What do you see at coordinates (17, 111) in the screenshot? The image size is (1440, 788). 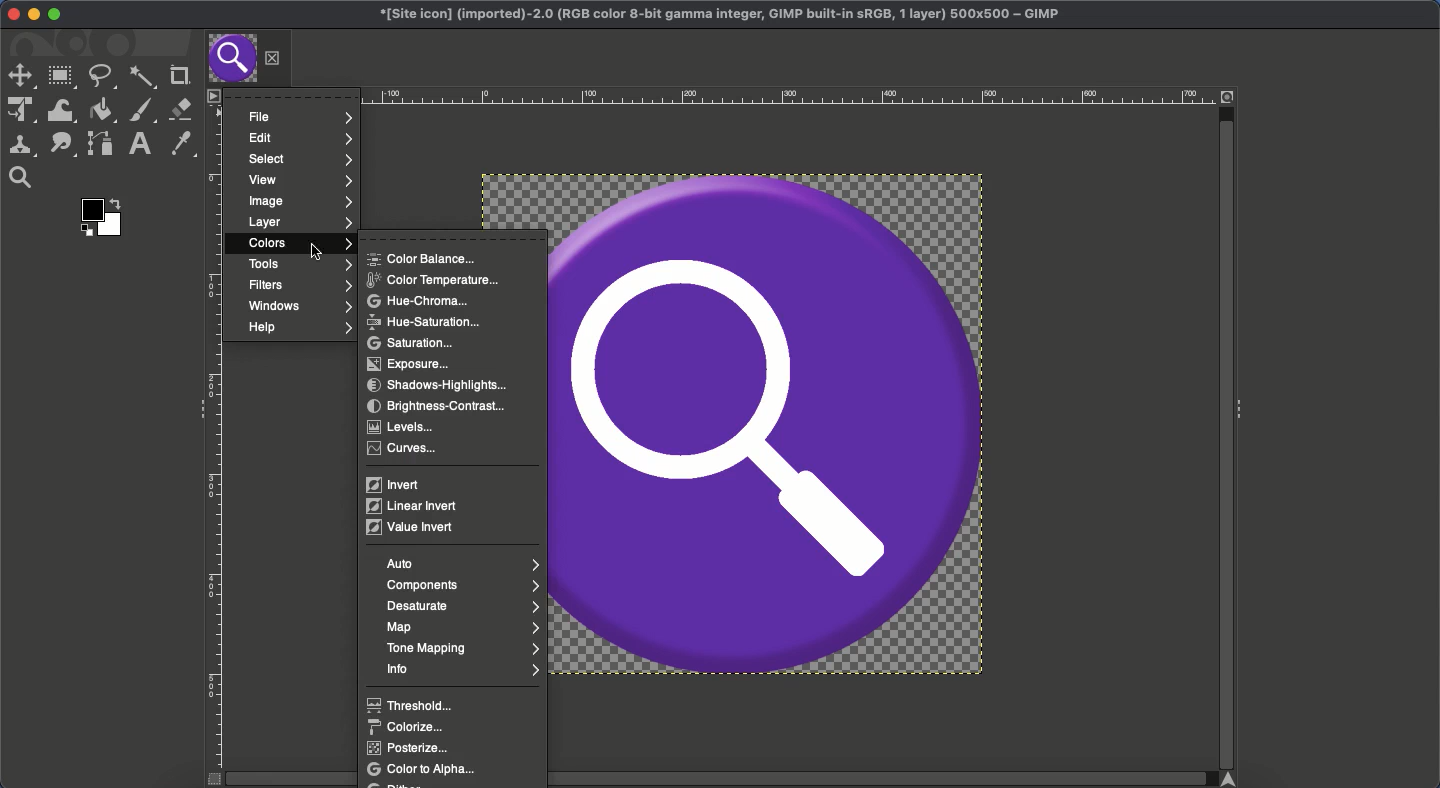 I see `Unified transformation` at bounding box center [17, 111].